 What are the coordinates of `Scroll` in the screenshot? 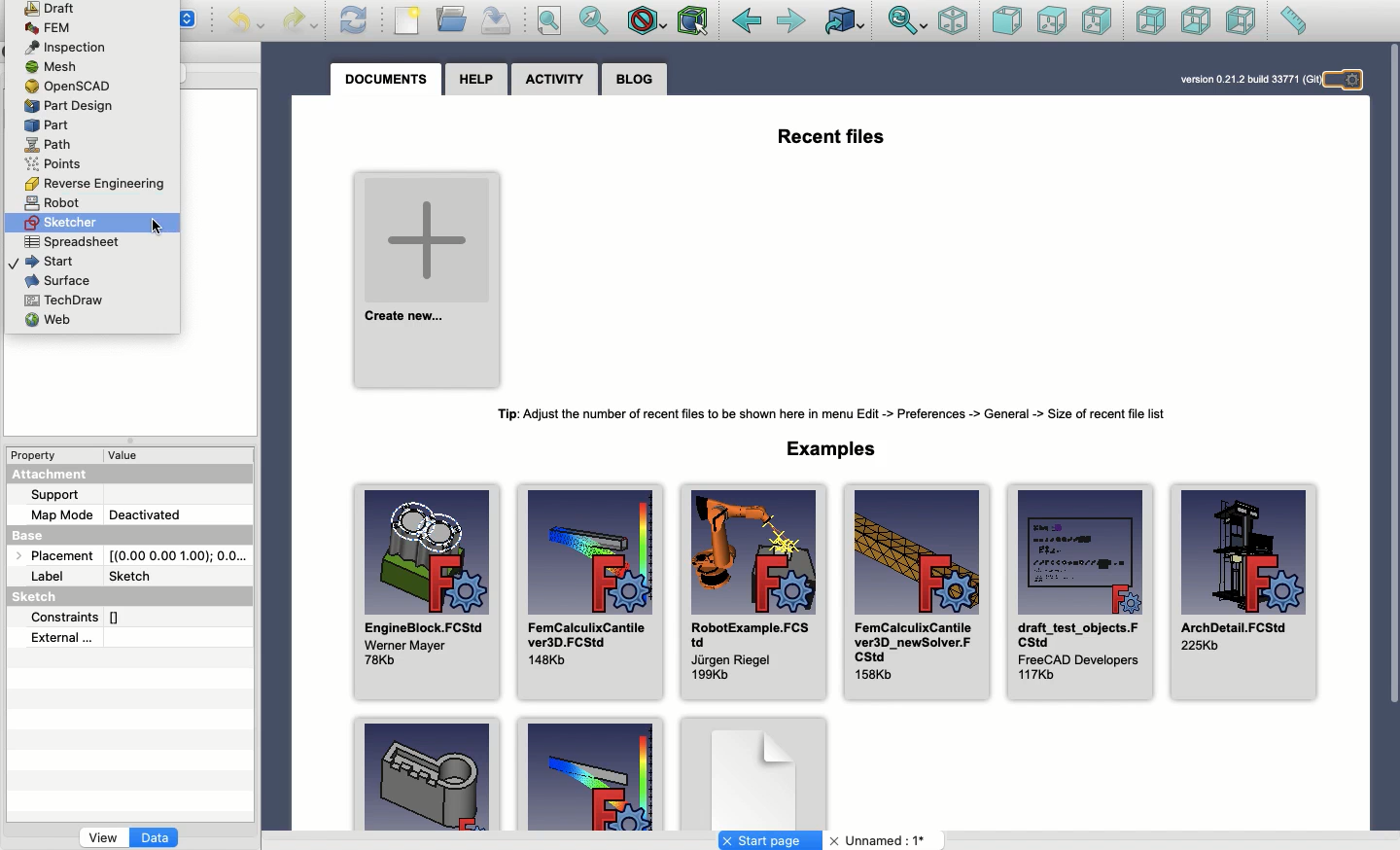 It's located at (1391, 438).